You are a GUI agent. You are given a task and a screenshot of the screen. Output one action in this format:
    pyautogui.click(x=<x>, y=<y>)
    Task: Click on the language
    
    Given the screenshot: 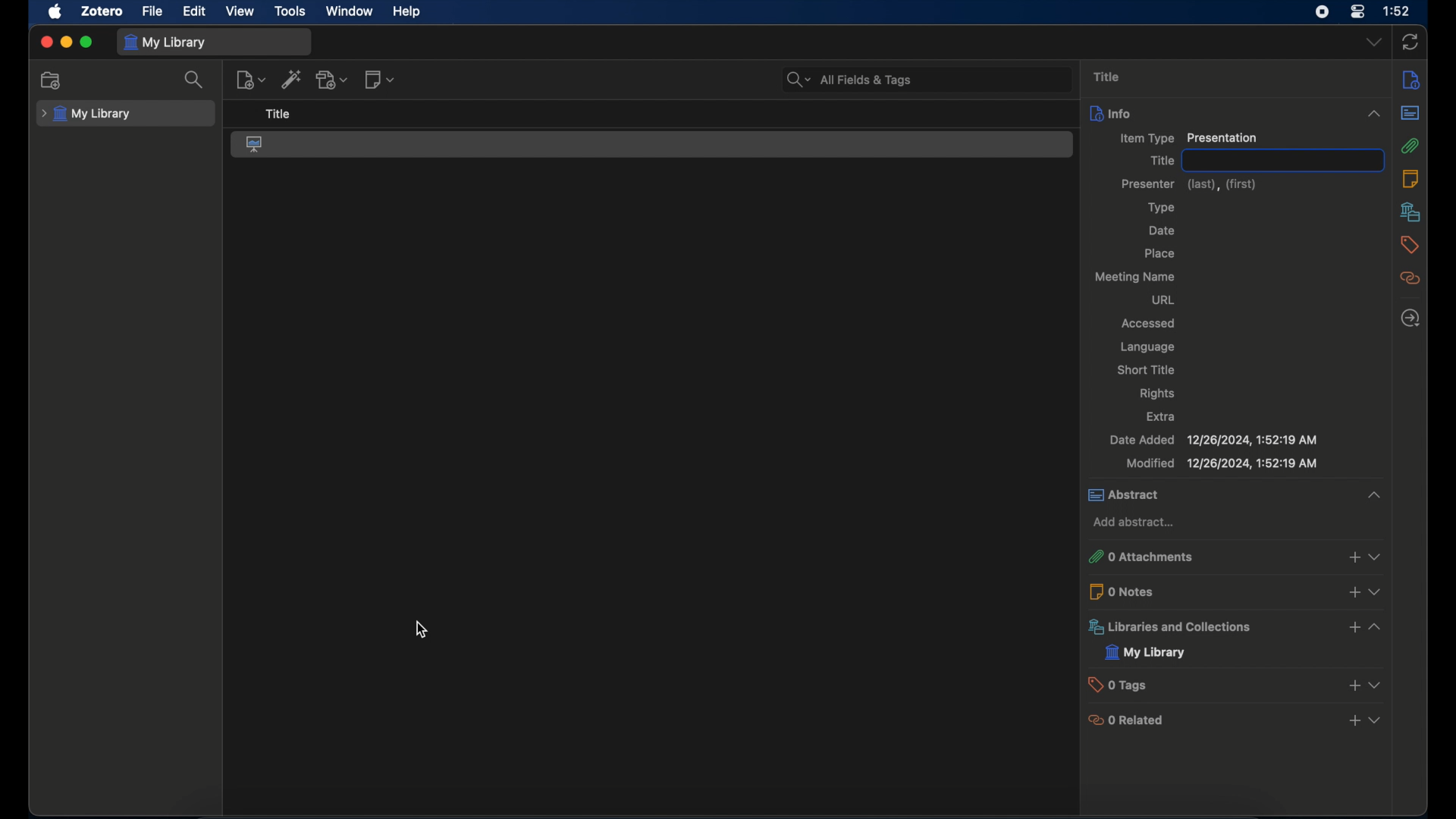 What is the action you would take?
    pyautogui.click(x=1147, y=347)
    